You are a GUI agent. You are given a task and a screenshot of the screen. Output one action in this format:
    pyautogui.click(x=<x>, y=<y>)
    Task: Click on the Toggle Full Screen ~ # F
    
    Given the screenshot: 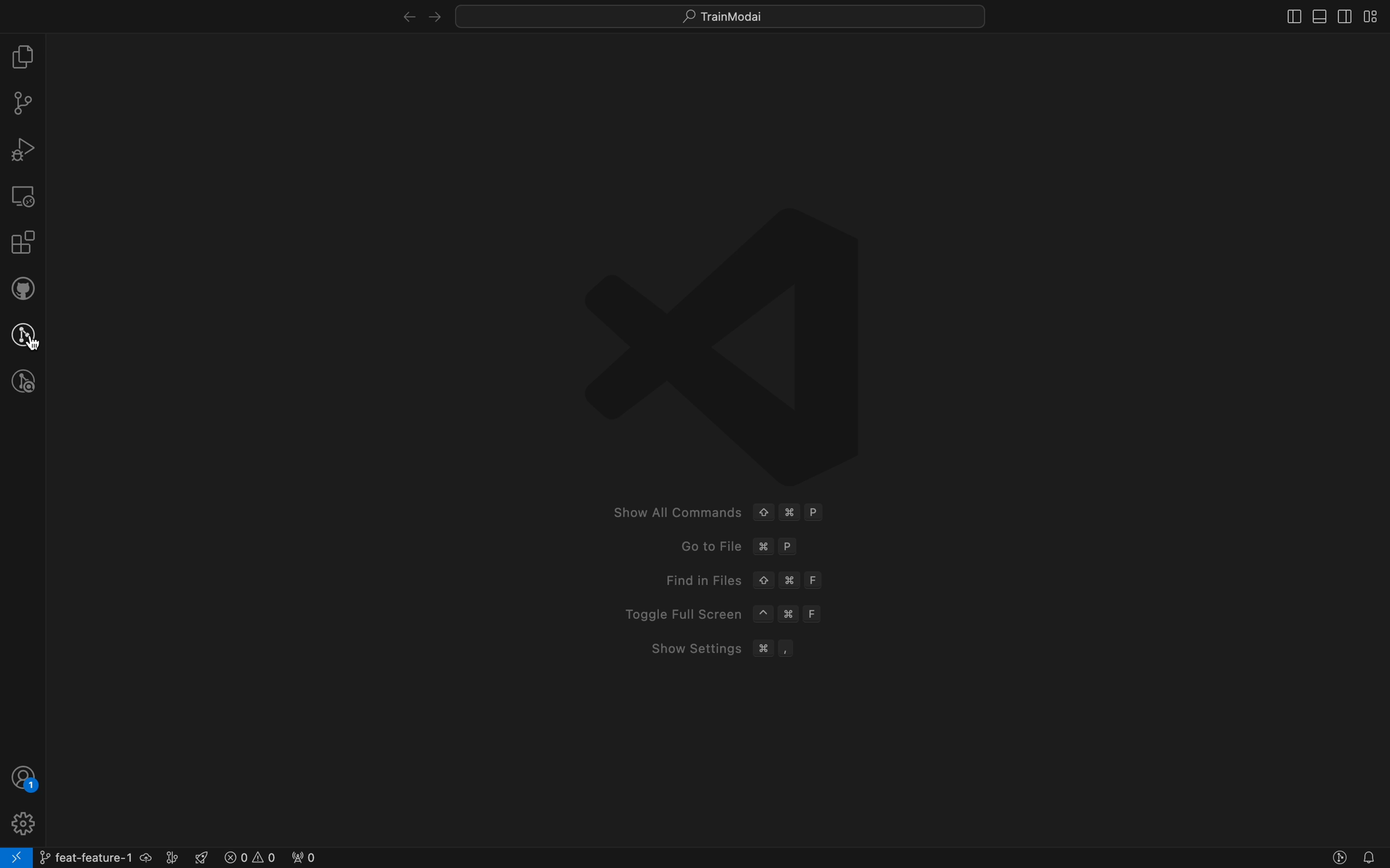 What is the action you would take?
    pyautogui.click(x=721, y=614)
    